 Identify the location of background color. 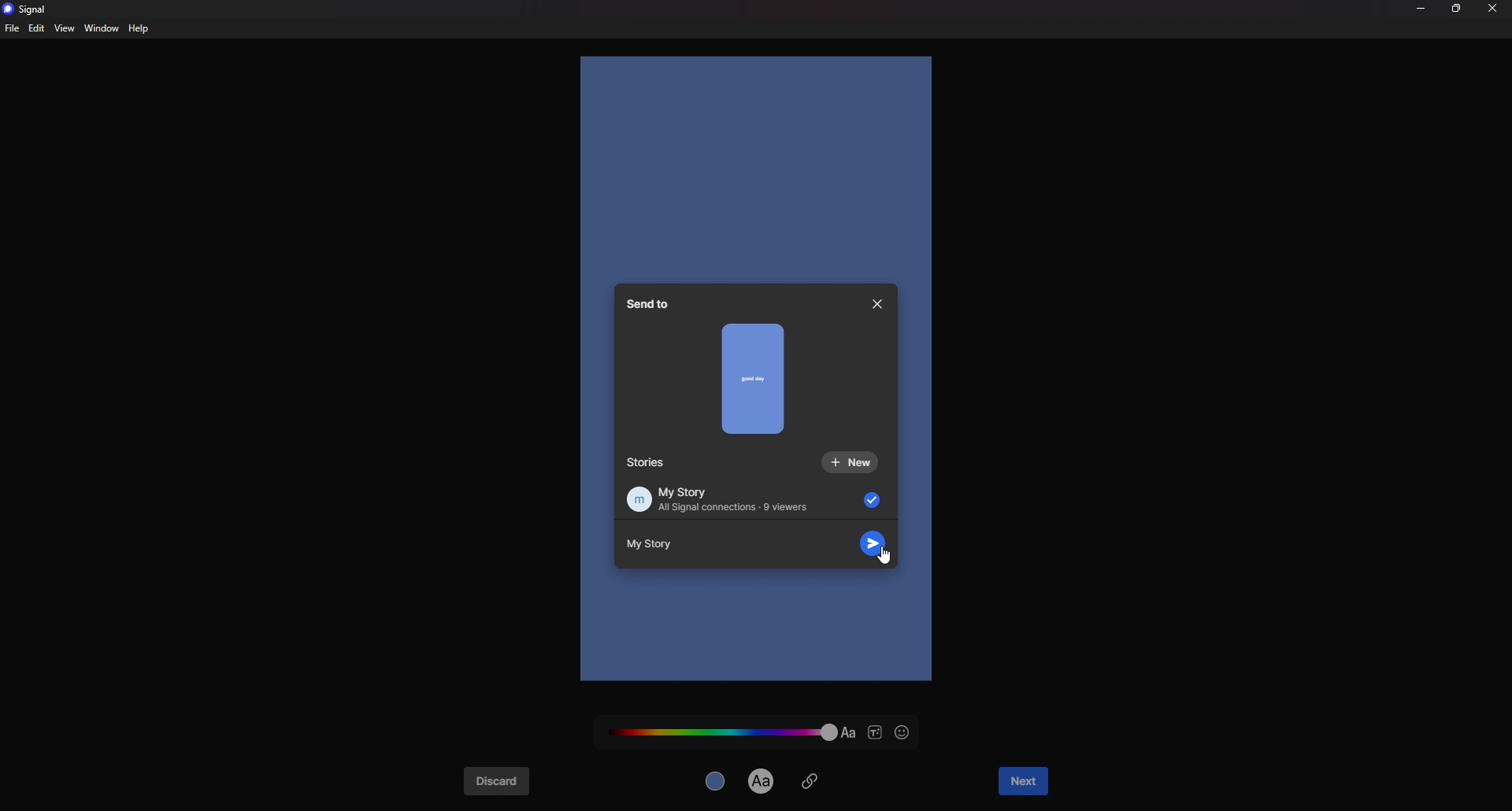
(717, 780).